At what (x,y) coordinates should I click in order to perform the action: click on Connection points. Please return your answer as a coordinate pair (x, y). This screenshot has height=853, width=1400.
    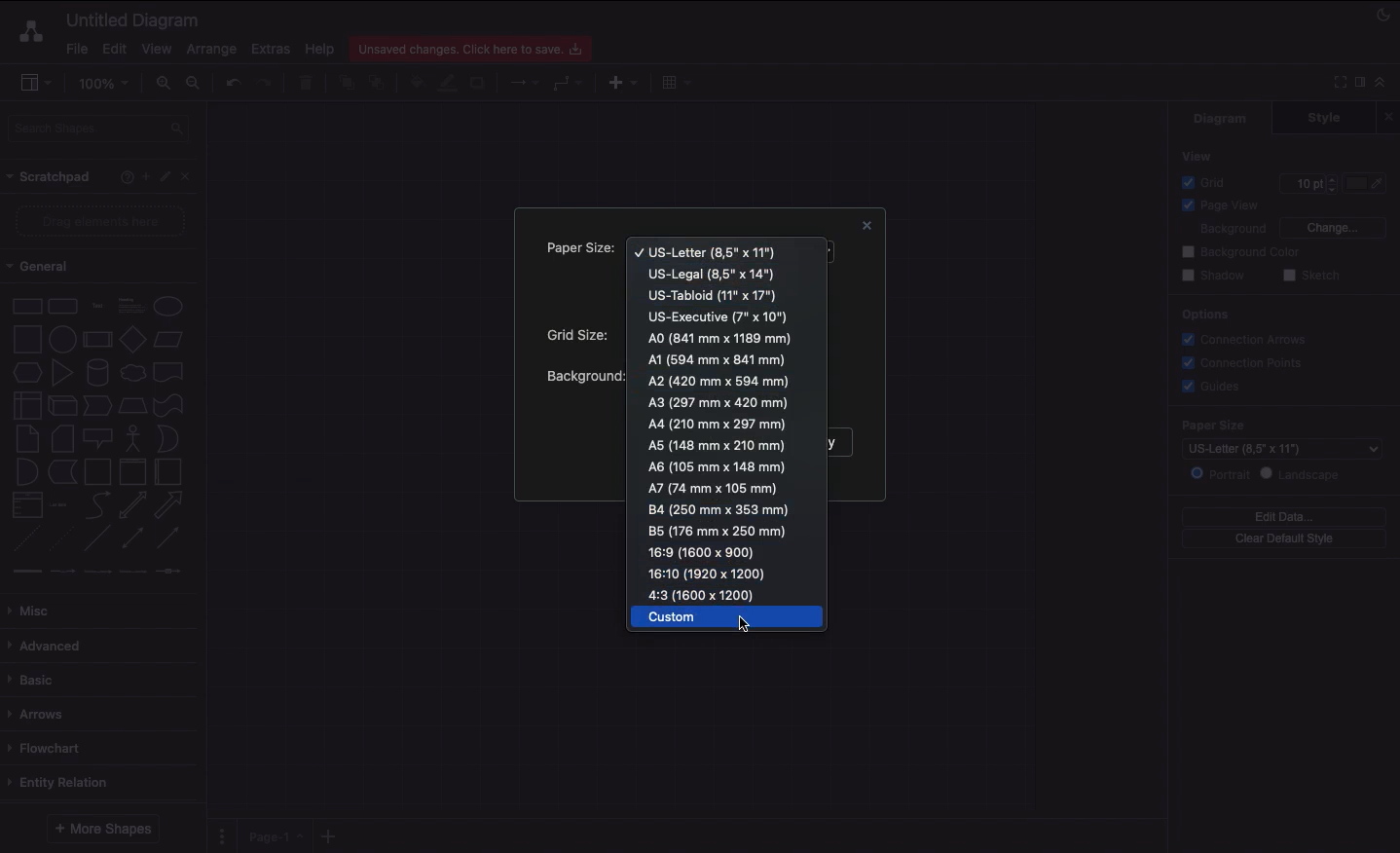
    Looking at the image, I should click on (1243, 362).